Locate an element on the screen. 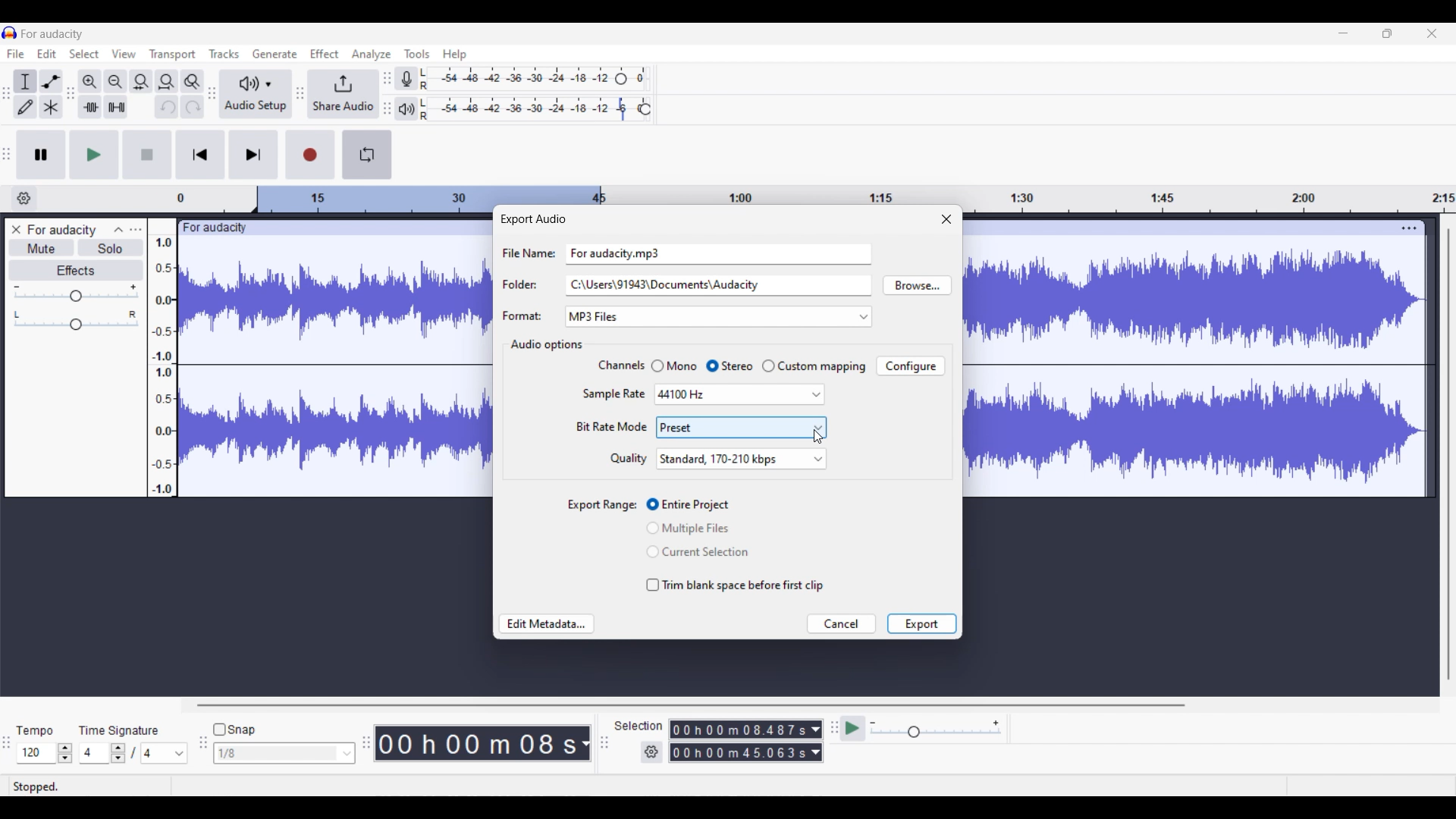  Pause is located at coordinates (41, 155).